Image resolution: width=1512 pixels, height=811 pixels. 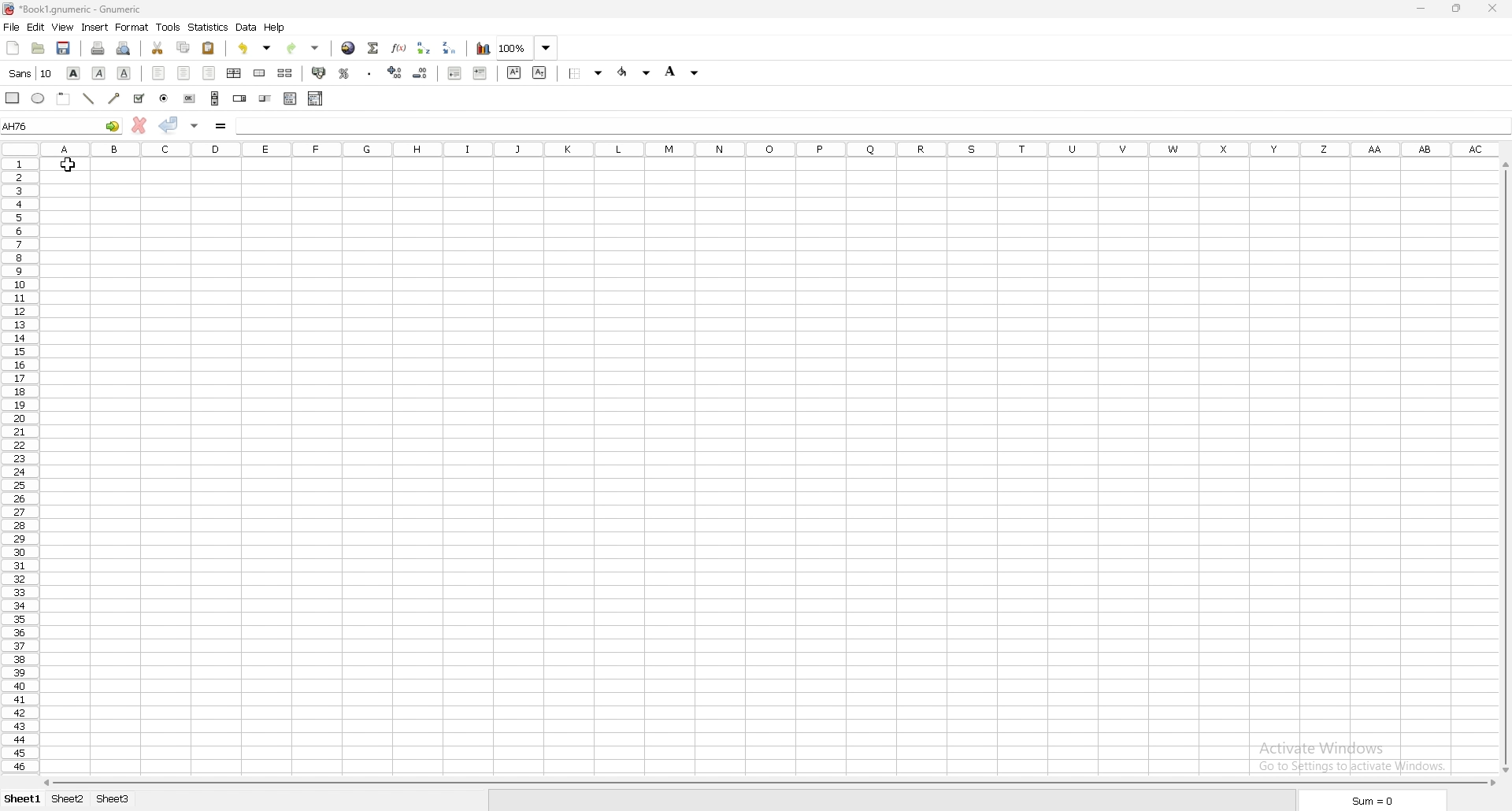 What do you see at coordinates (345, 73) in the screenshot?
I see `percentage` at bounding box center [345, 73].